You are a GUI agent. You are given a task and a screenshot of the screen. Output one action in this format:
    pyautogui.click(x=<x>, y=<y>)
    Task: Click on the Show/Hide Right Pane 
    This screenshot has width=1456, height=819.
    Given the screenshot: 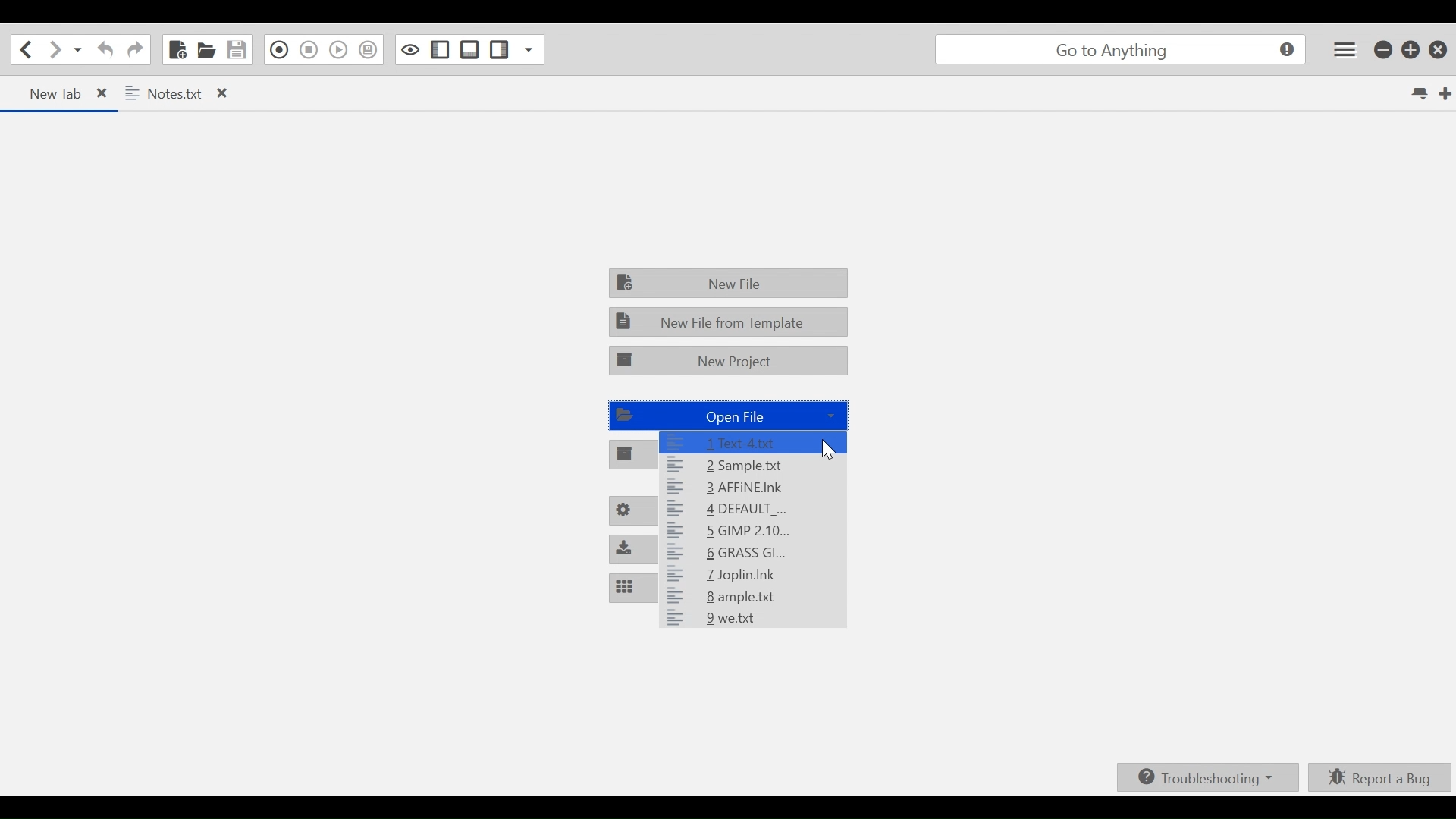 What is the action you would take?
    pyautogui.click(x=498, y=49)
    